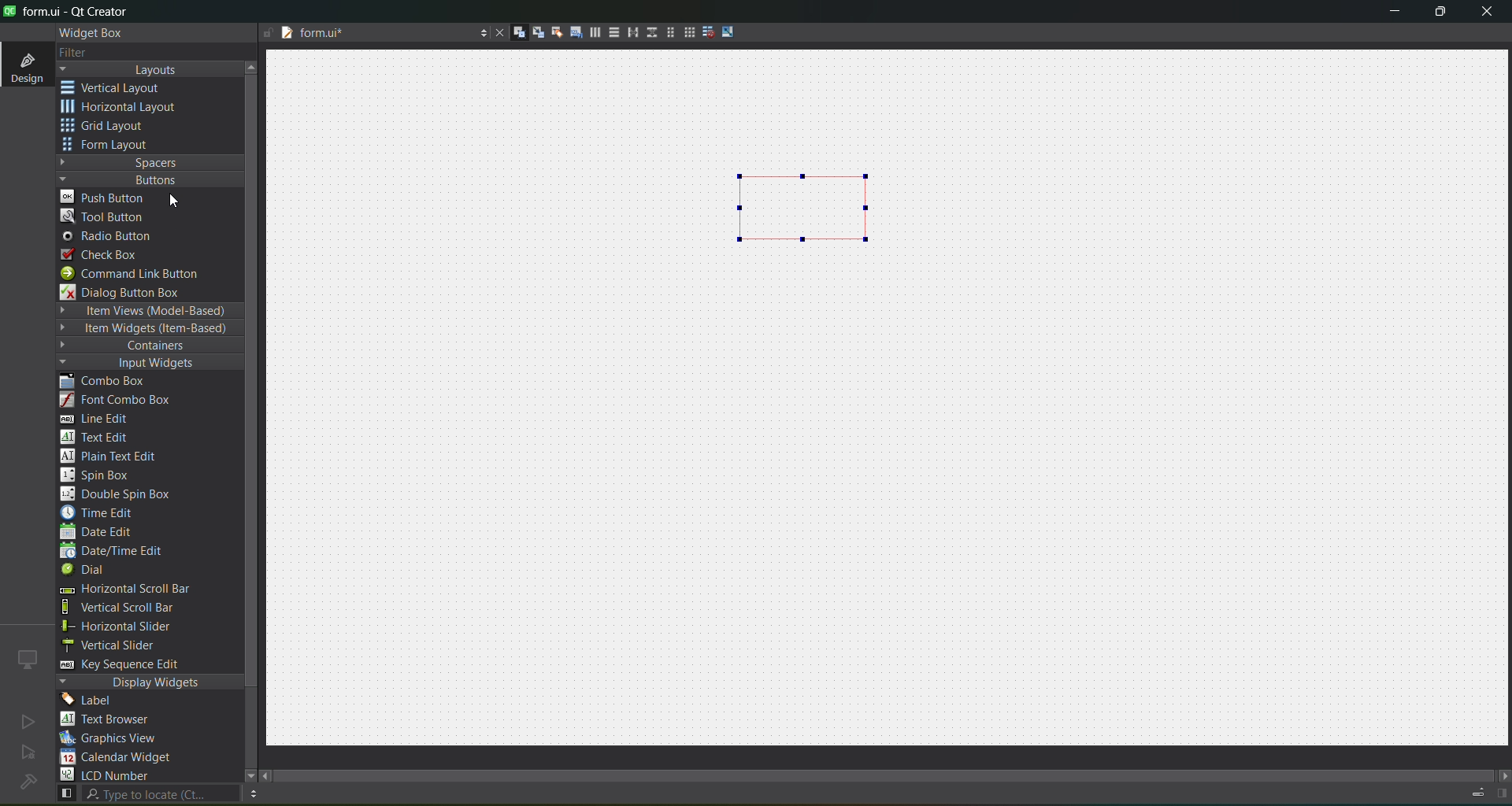 The width and height of the screenshot is (1512, 806). Describe the element at coordinates (124, 590) in the screenshot. I see `horizontal scroll bar` at that location.